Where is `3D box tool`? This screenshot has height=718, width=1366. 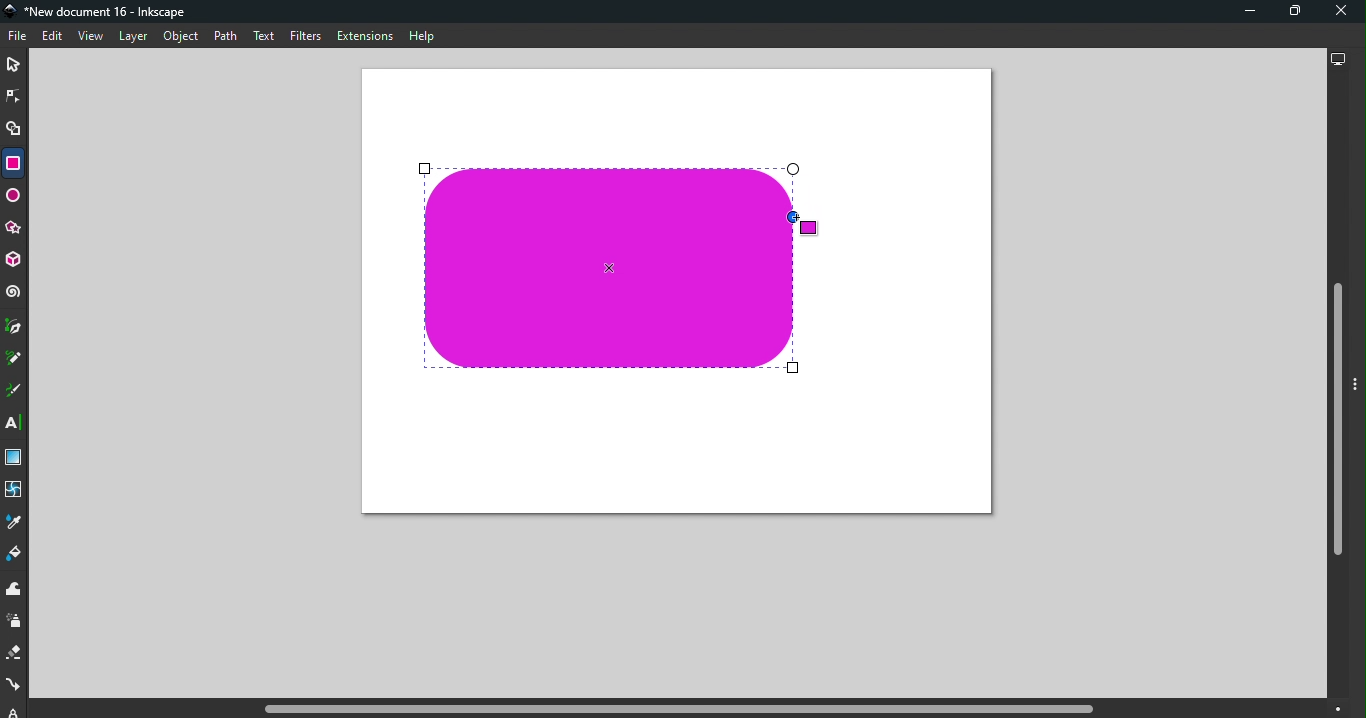
3D box tool is located at coordinates (15, 262).